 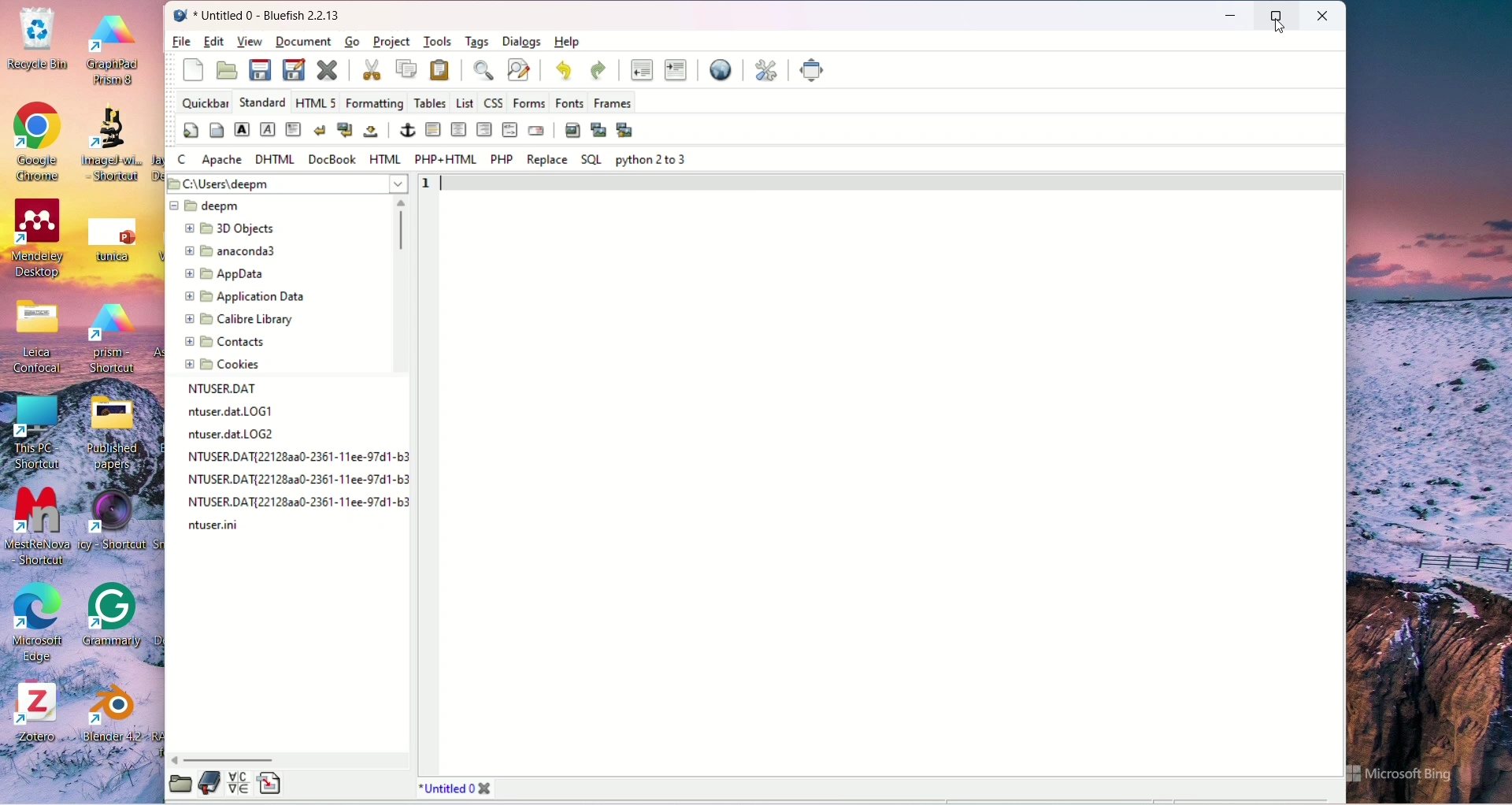 I want to click on emphasize, so click(x=268, y=129).